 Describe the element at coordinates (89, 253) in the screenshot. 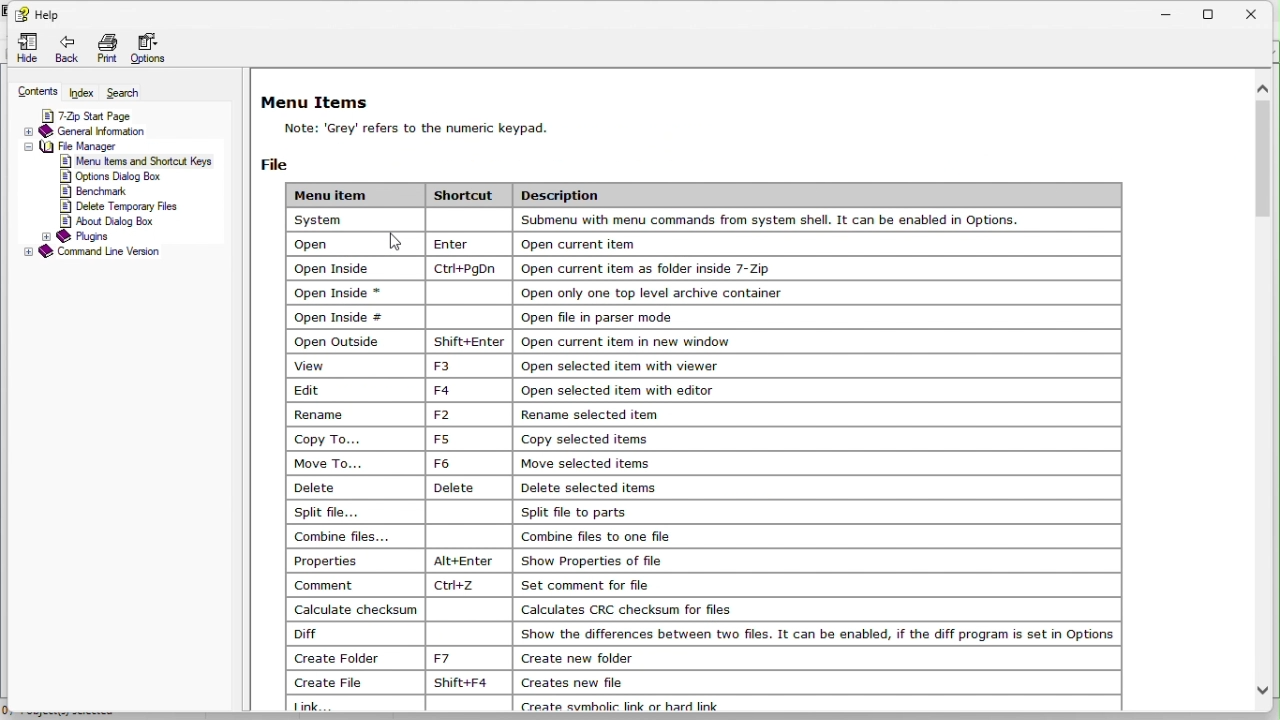

I see `Command line version` at that location.